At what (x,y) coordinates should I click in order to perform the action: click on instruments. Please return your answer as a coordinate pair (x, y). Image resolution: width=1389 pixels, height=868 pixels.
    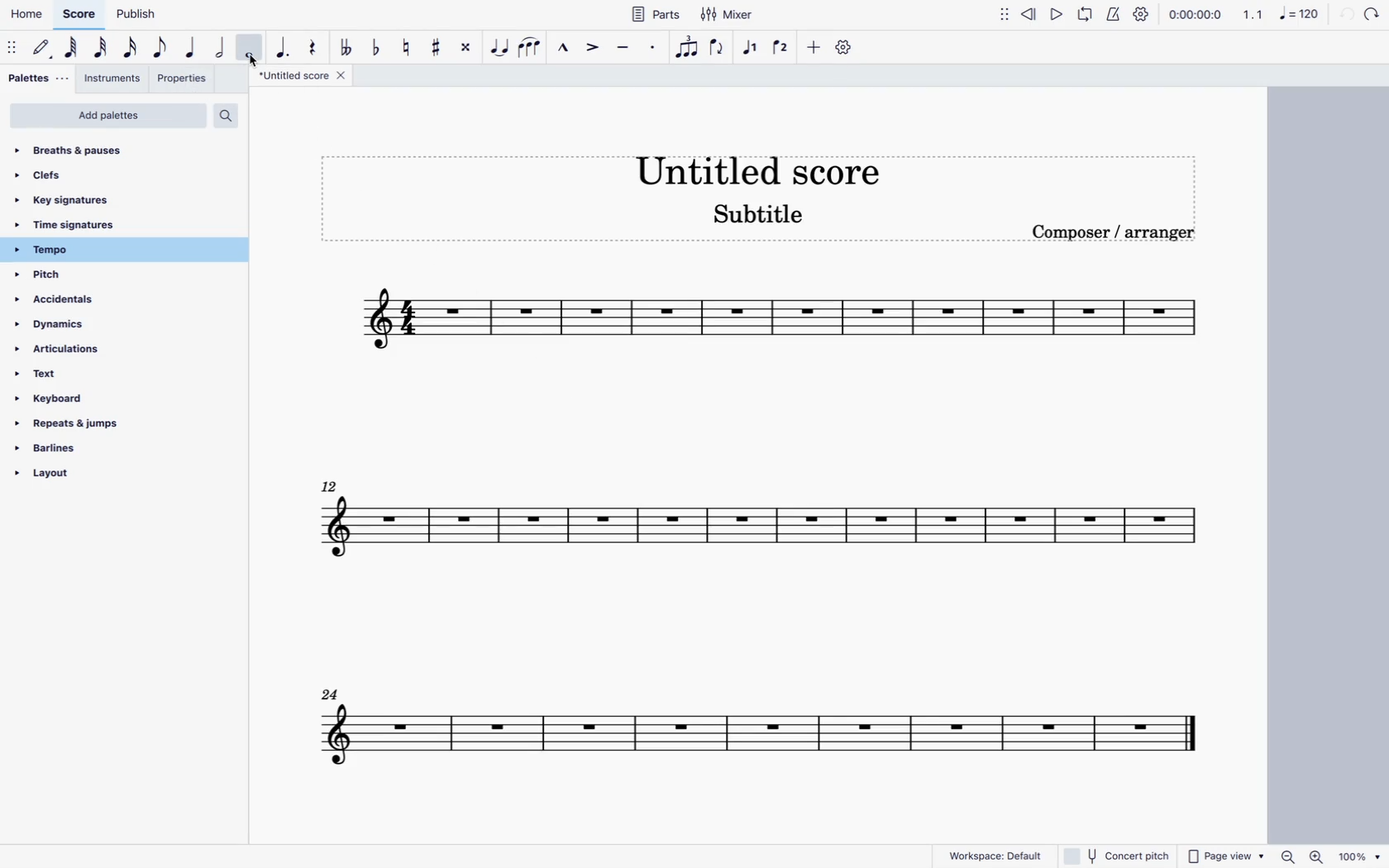
    Looking at the image, I should click on (113, 80).